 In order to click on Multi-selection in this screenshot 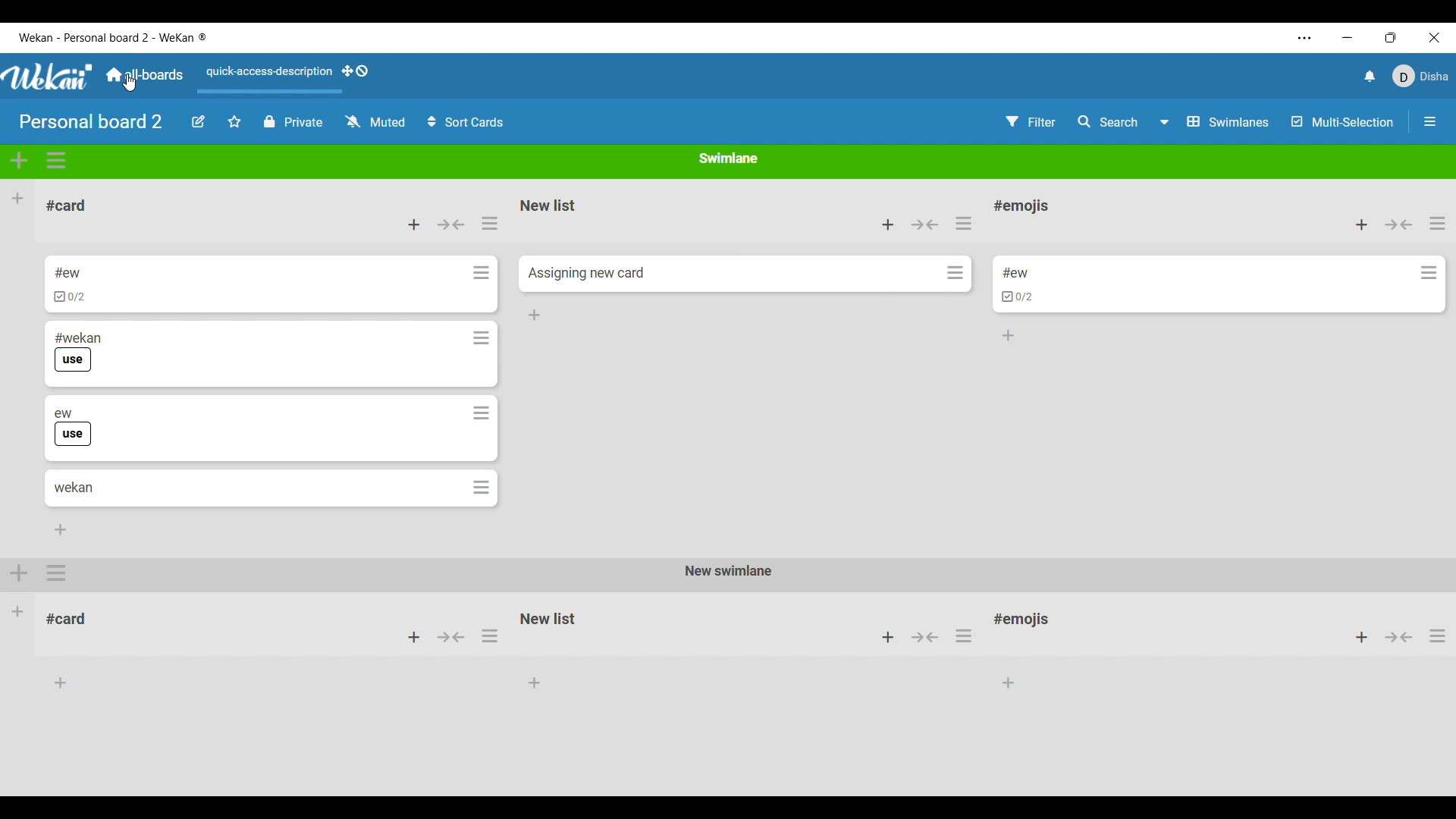, I will do `click(1342, 121)`.